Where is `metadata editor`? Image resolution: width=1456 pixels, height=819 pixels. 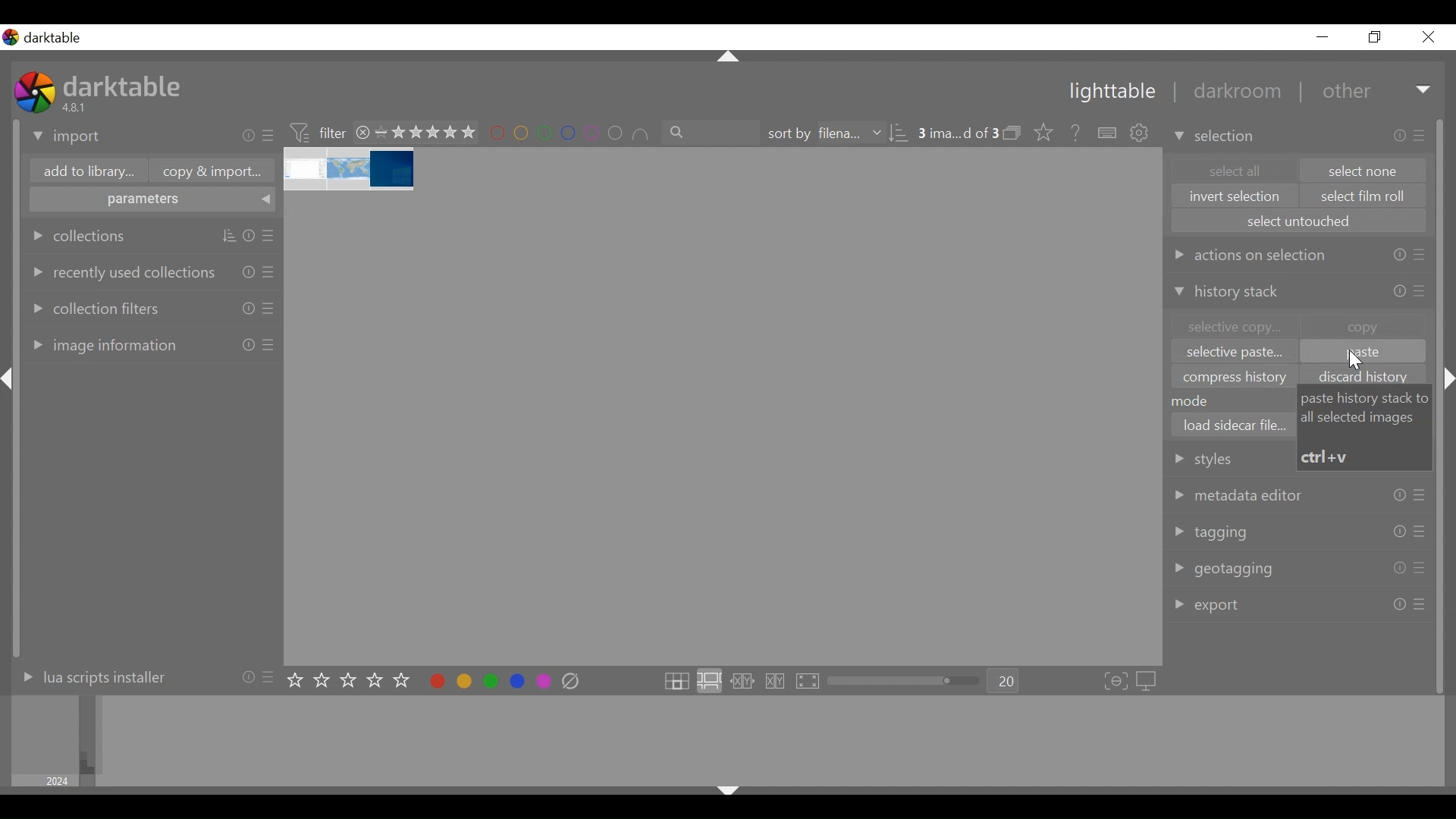
metadata editor is located at coordinates (1240, 494).